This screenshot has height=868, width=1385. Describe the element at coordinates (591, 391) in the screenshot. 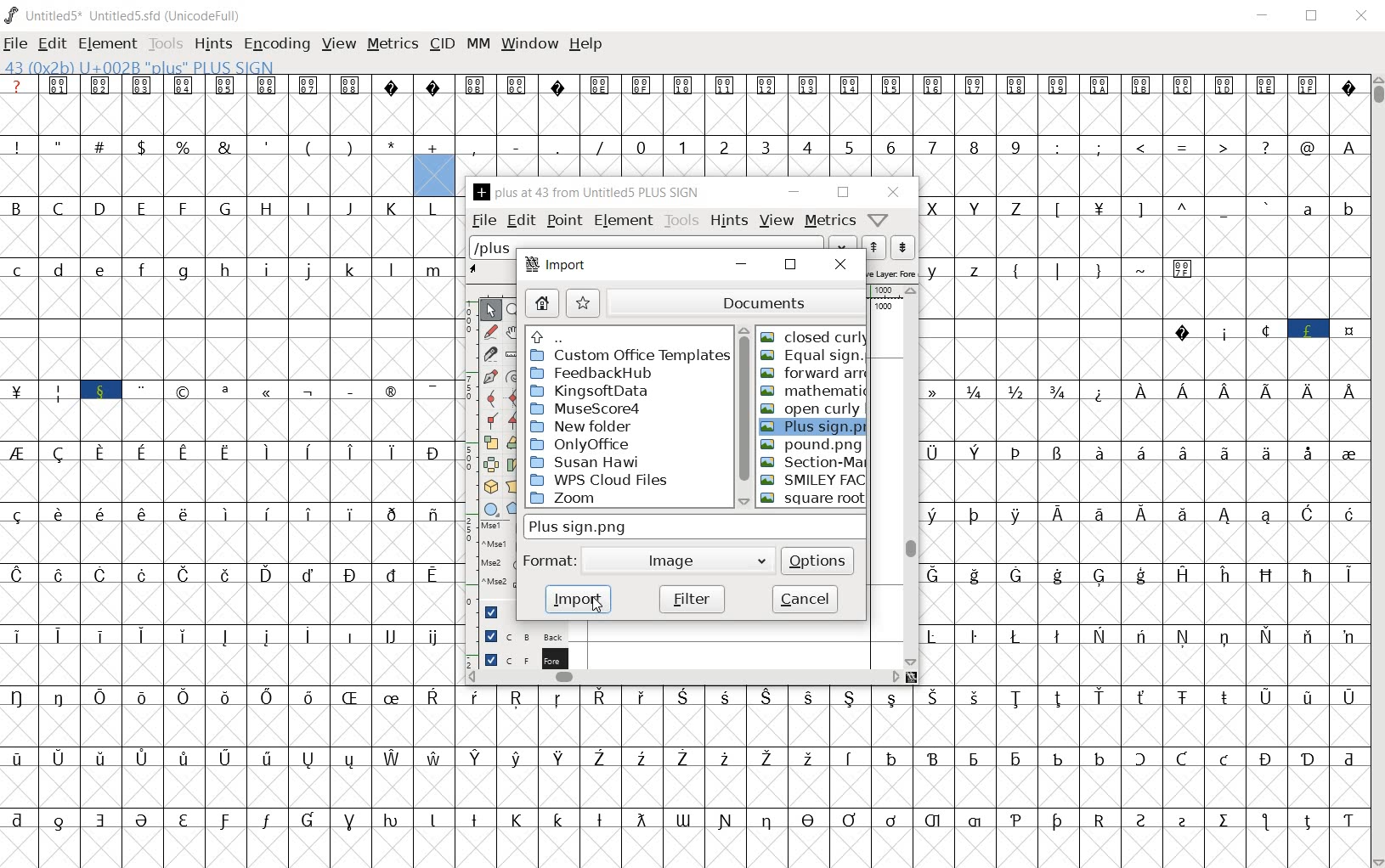

I see `KingsofData` at that location.